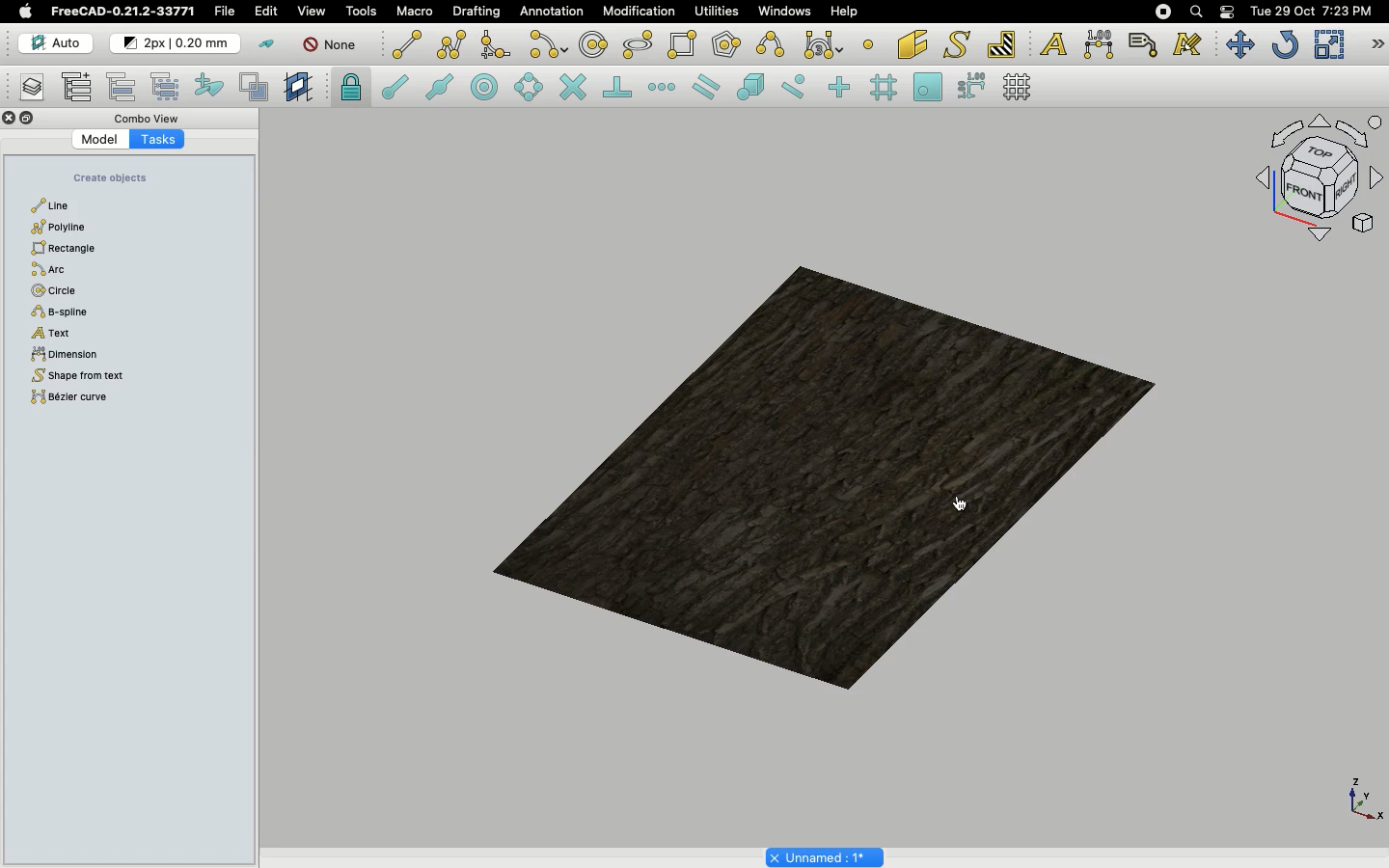  I want to click on Windows, so click(782, 12).